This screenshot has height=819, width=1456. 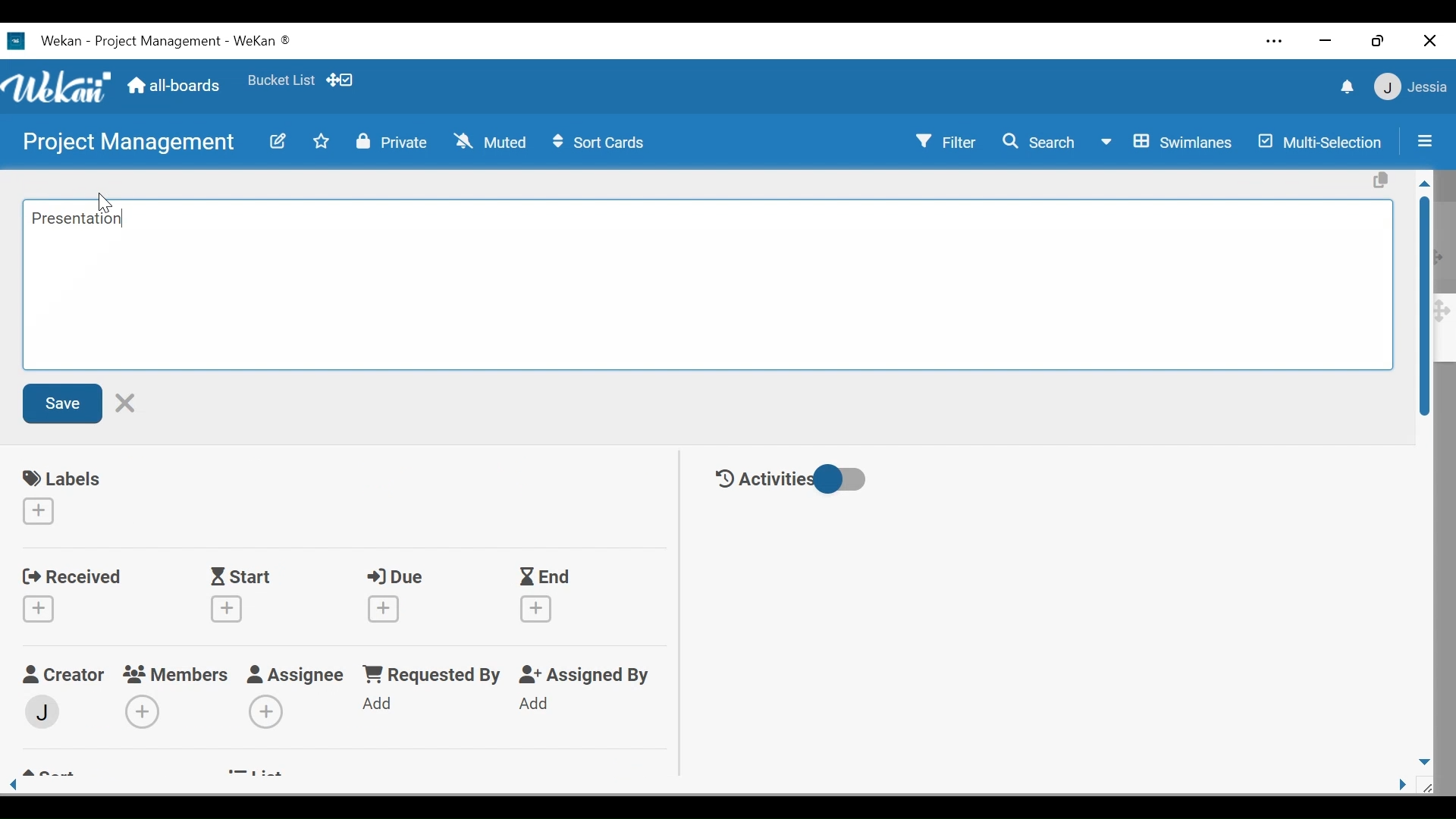 I want to click on Wekan logo, so click(x=58, y=86).